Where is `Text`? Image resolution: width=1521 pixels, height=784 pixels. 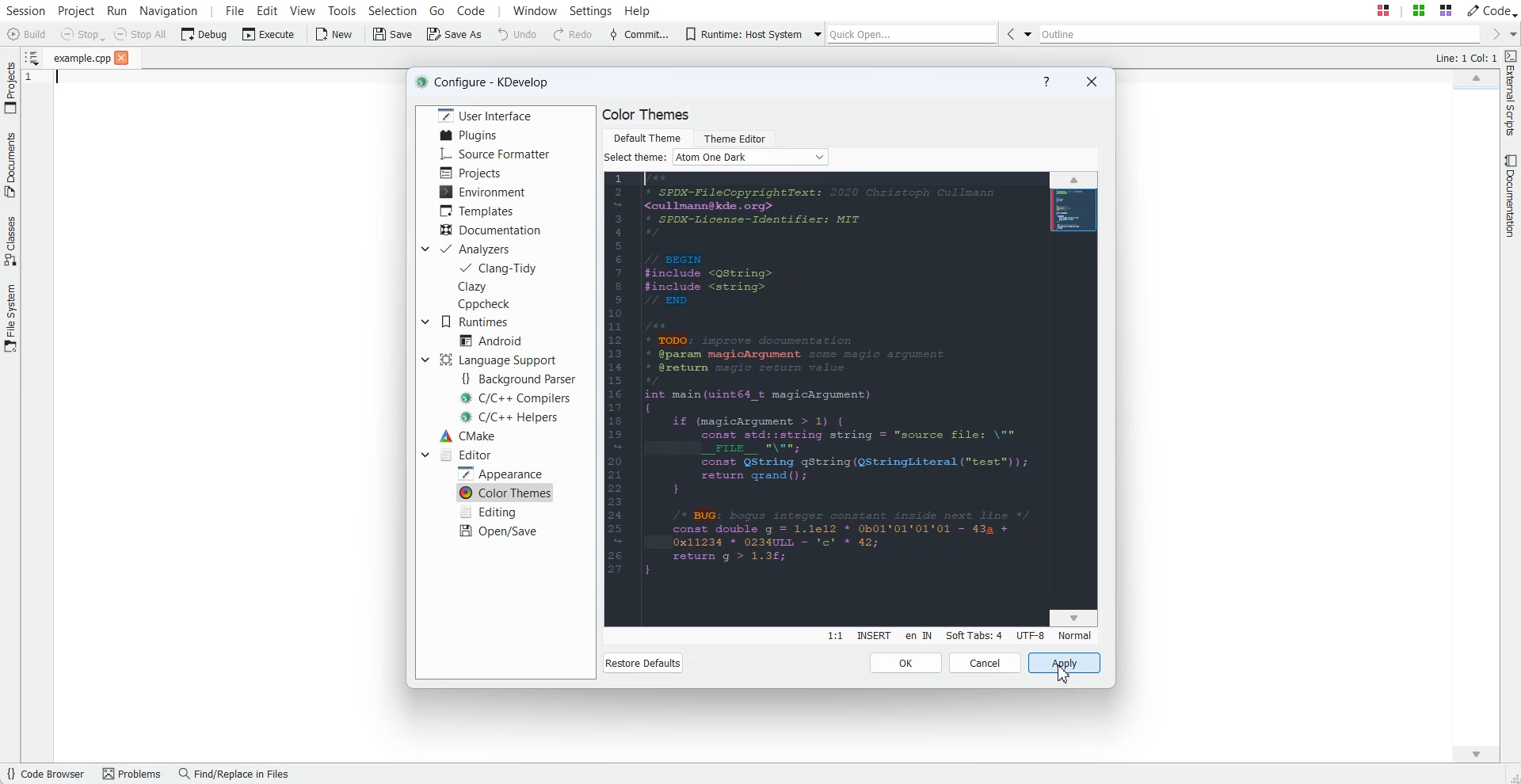
Text is located at coordinates (635, 158).